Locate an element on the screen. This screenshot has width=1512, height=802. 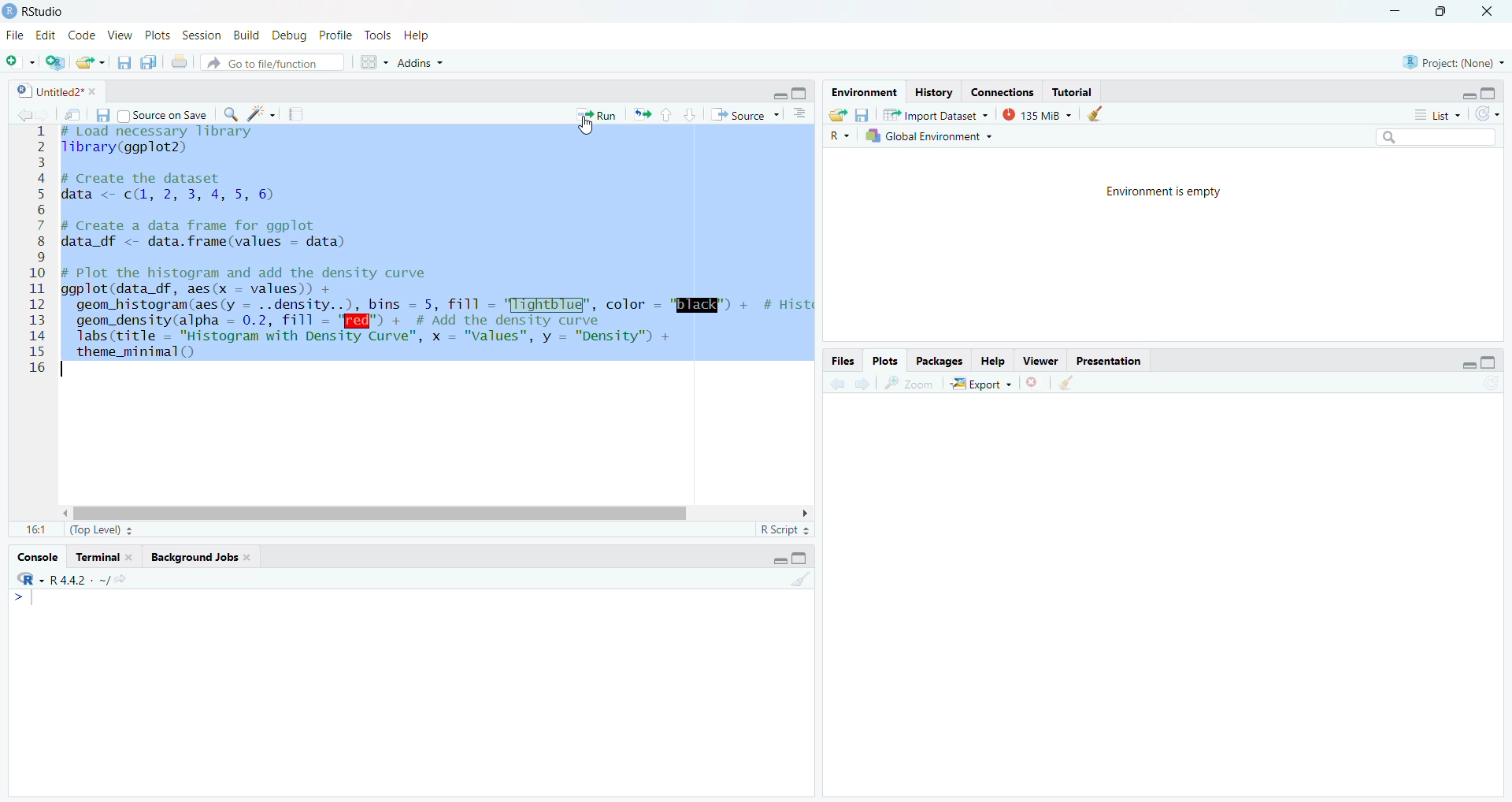
find/replace is located at coordinates (233, 114).